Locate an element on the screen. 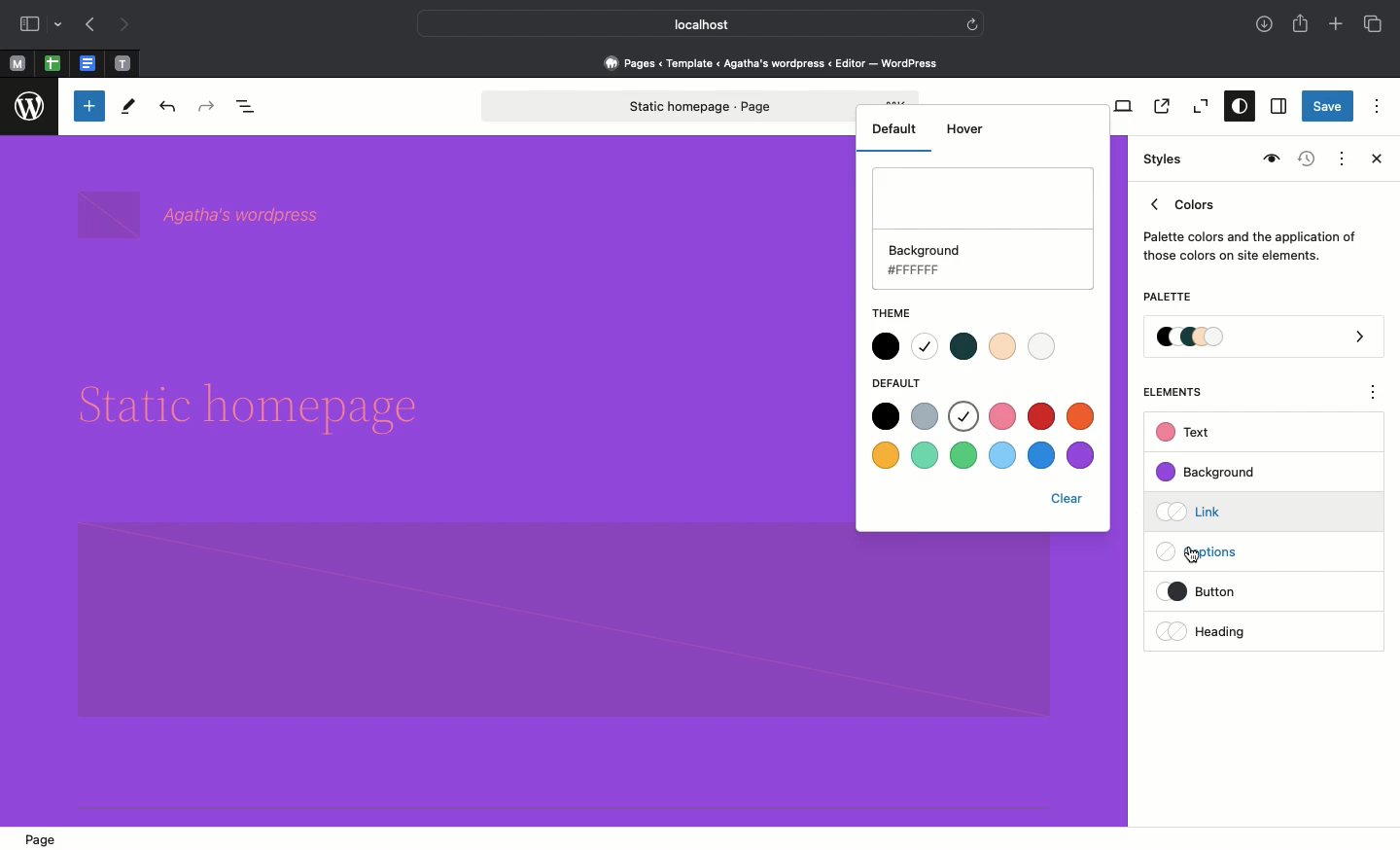  Button is located at coordinates (1214, 591).